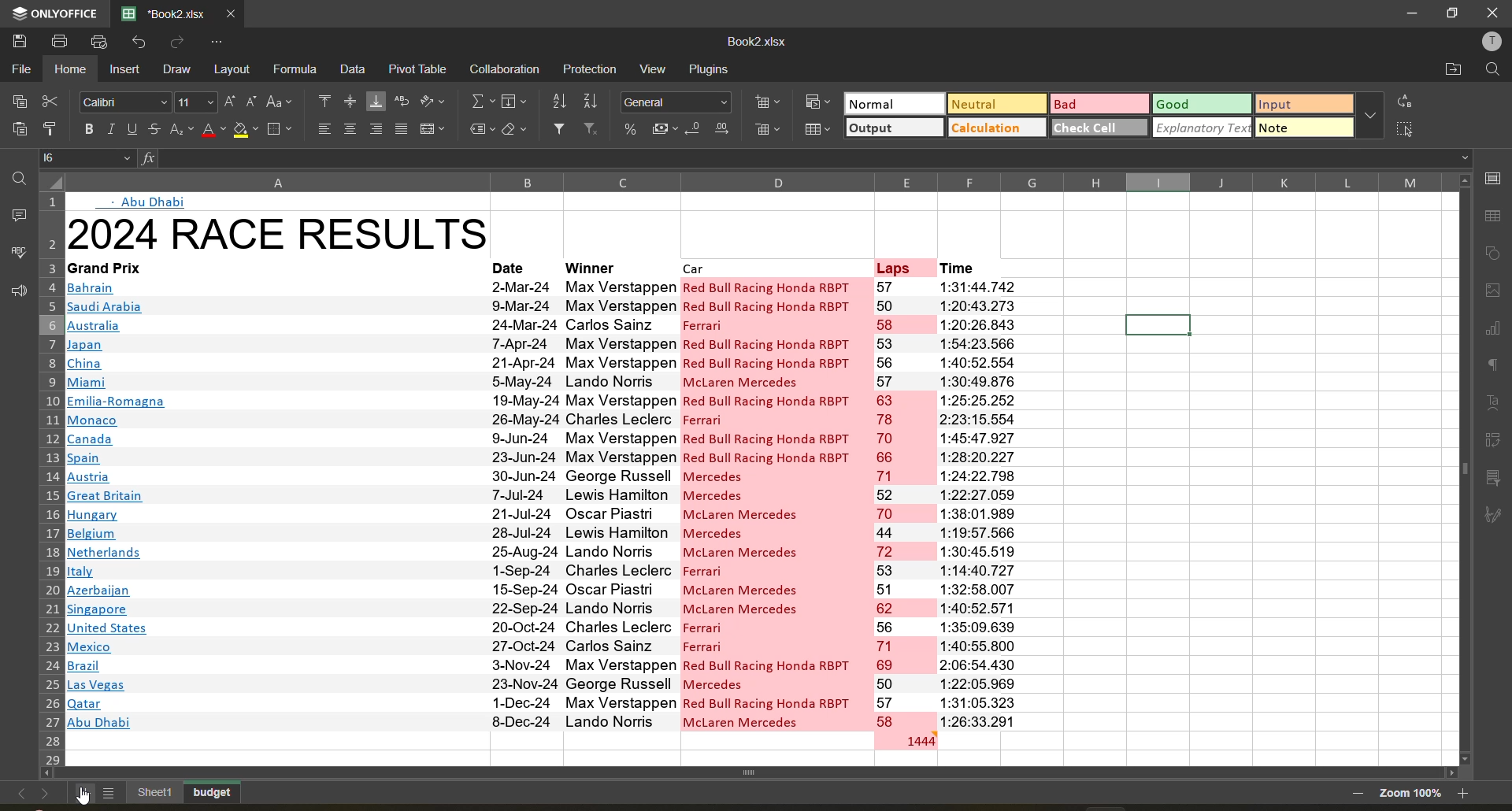 The height and width of the screenshot is (811, 1512). What do you see at coordinates (89, 158) in the screenshot?
I see `cell address` at bounding box center [89, 158].